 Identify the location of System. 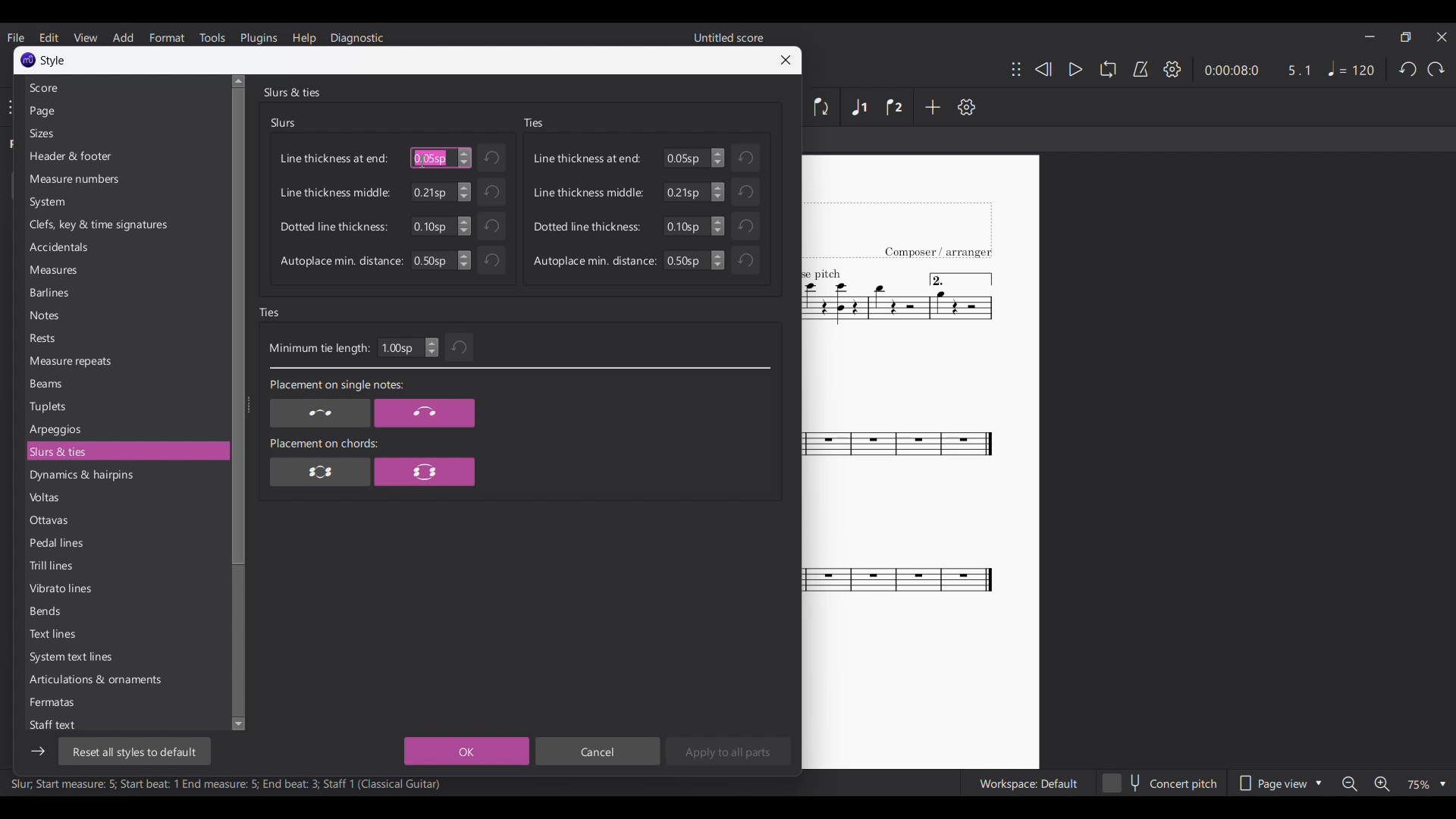
(124, 202).